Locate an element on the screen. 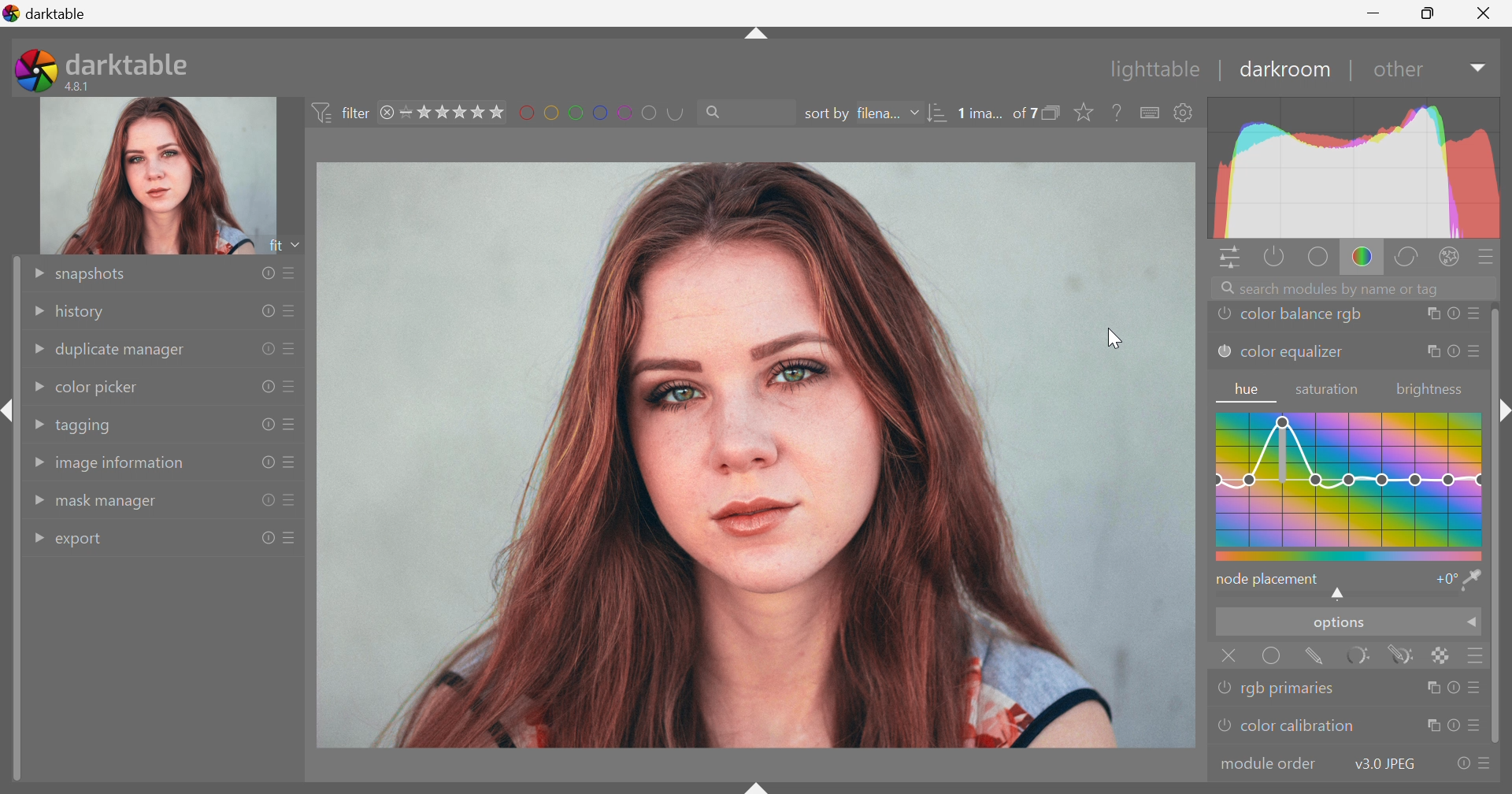 The image size is (1512, 794). show global preference is located at coordinates (1184, 113).